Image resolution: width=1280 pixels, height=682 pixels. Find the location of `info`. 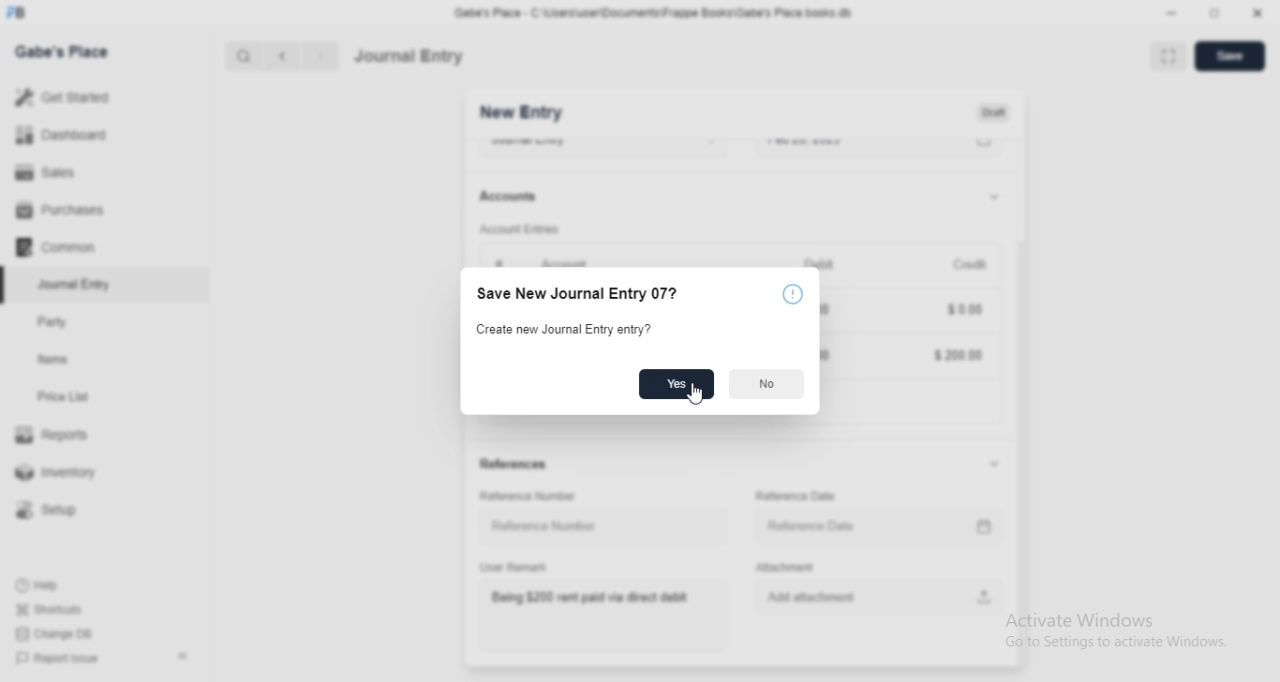

info is located at coordinates (794, 295).